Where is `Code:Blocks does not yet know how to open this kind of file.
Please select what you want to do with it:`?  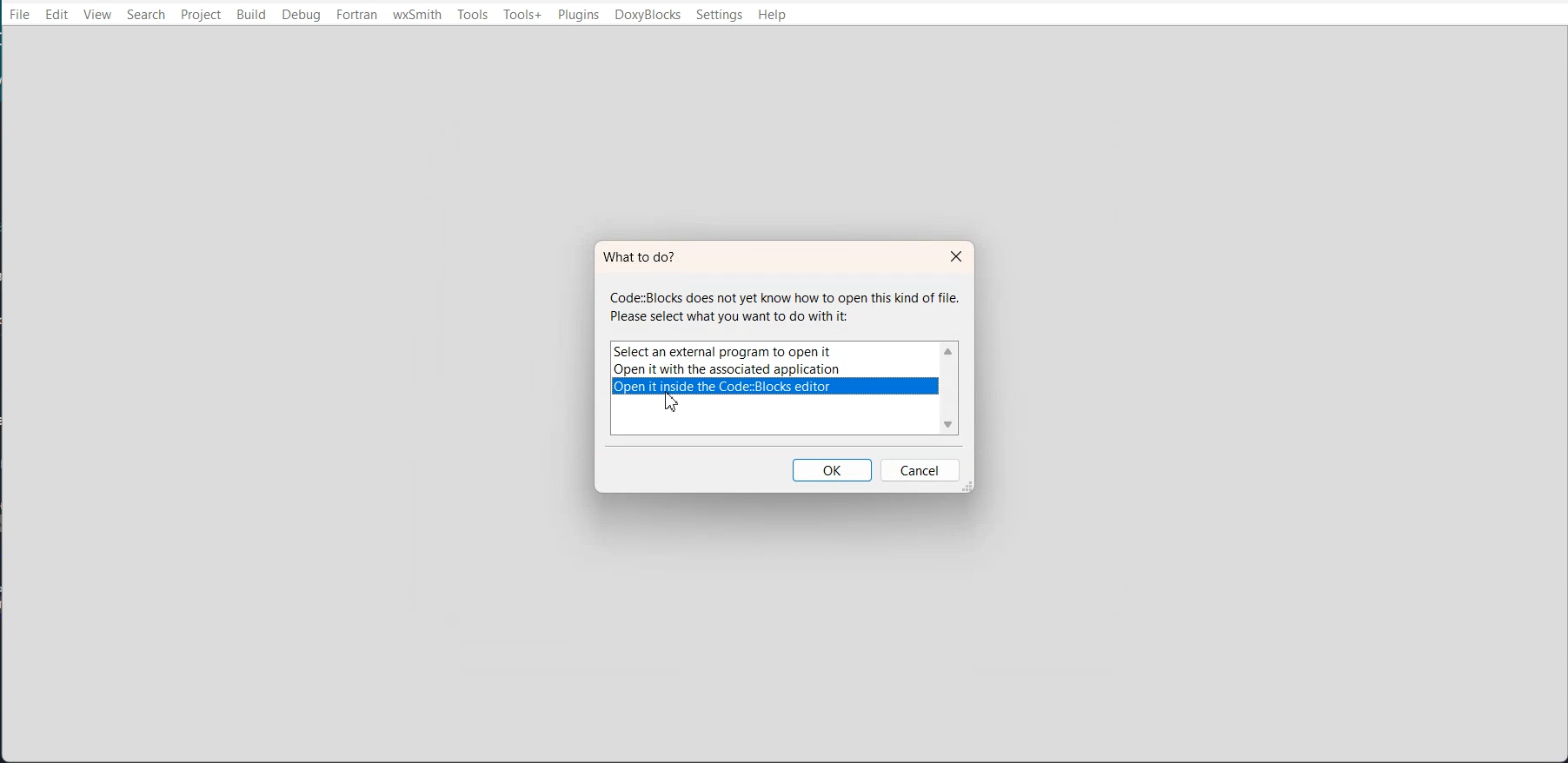 Code:Blocks does not yet know how to open this kind of file.
Please select what you want to do with it: is located at coordinates (781, 309).